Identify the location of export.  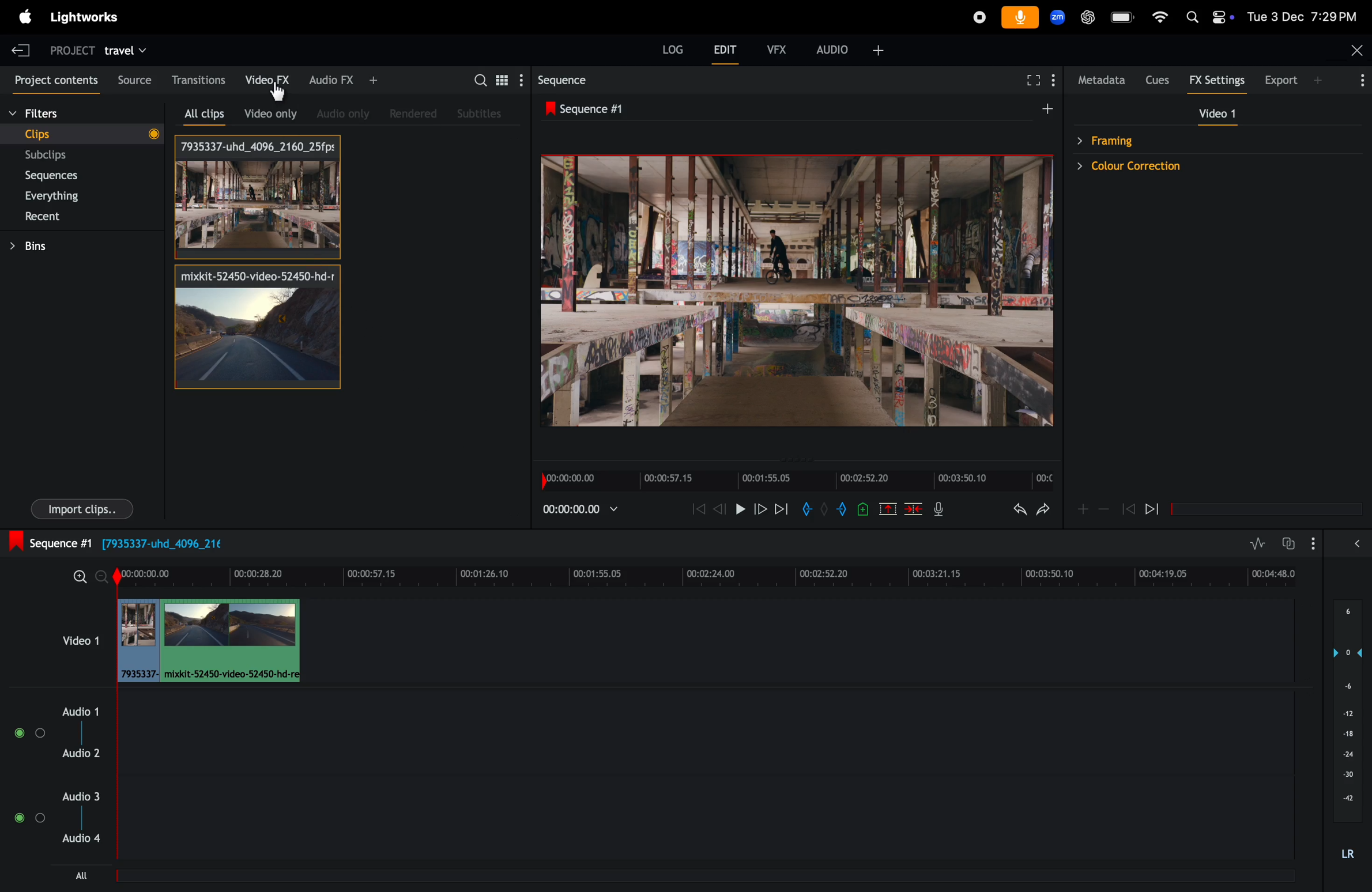
(1316, 82).